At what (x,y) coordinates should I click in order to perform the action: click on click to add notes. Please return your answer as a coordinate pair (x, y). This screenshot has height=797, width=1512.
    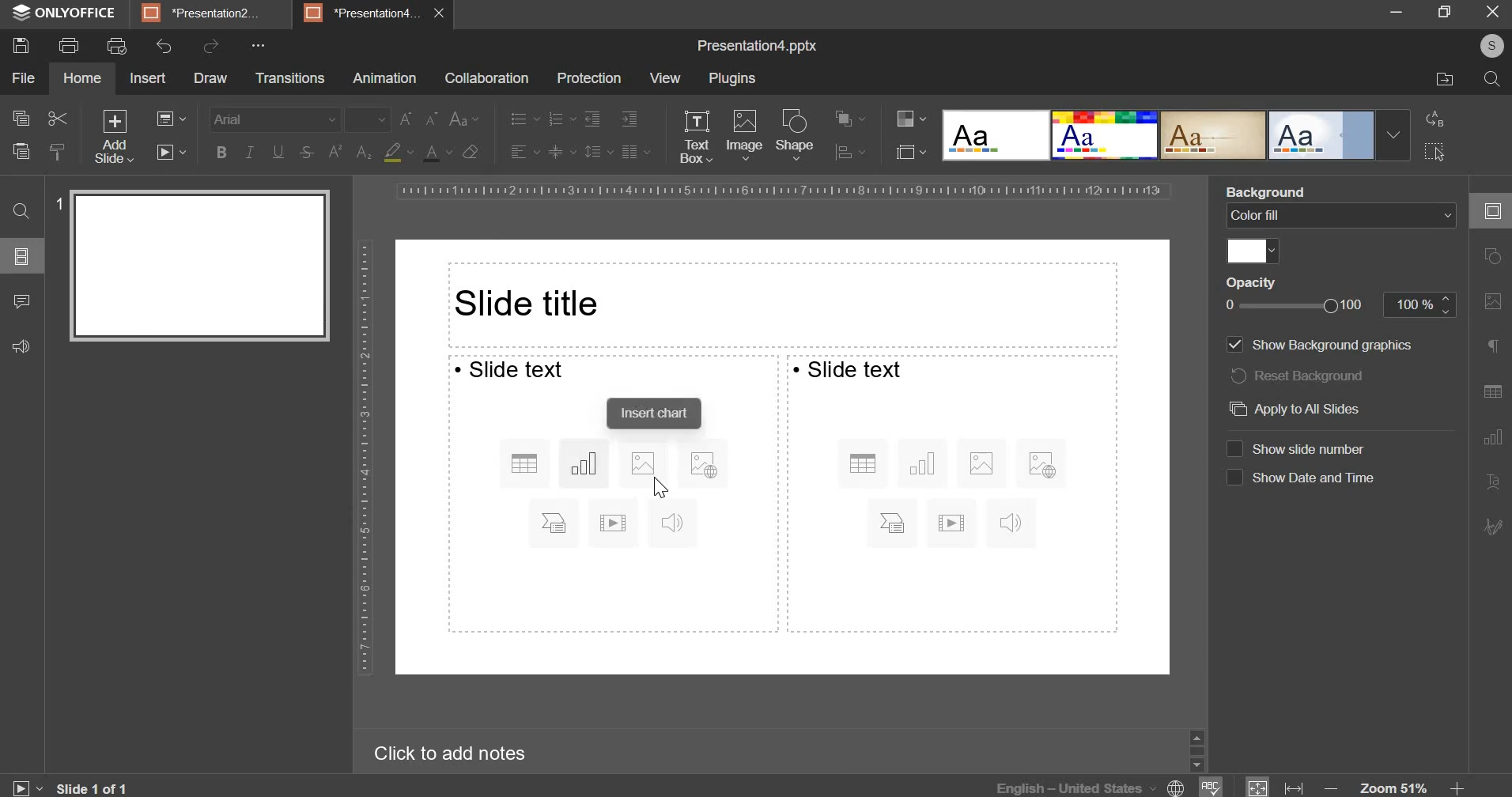
    Looking at the image, I should click on (443, 754).